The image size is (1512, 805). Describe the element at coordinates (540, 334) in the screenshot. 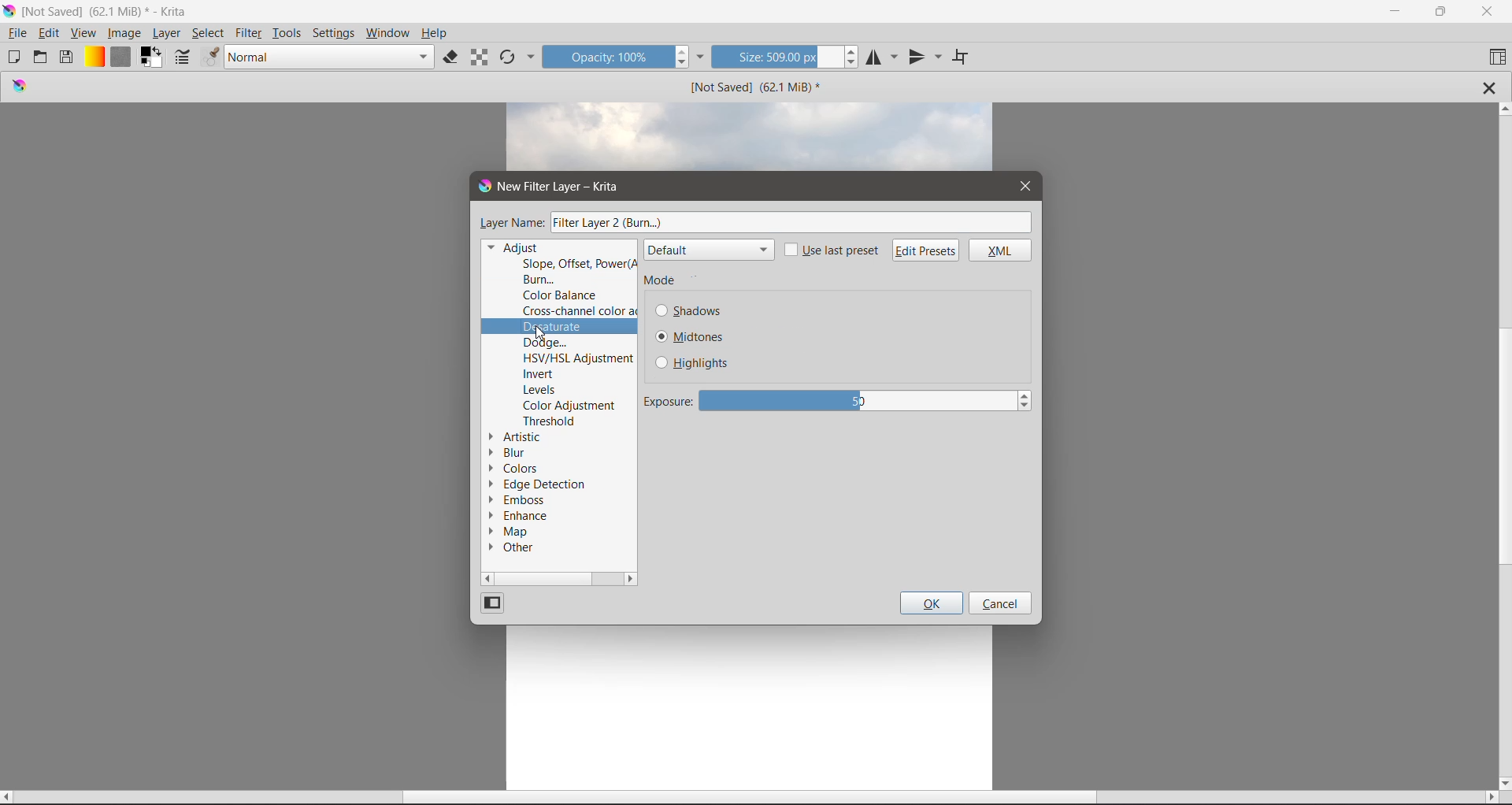

I see `cursor` at that location.